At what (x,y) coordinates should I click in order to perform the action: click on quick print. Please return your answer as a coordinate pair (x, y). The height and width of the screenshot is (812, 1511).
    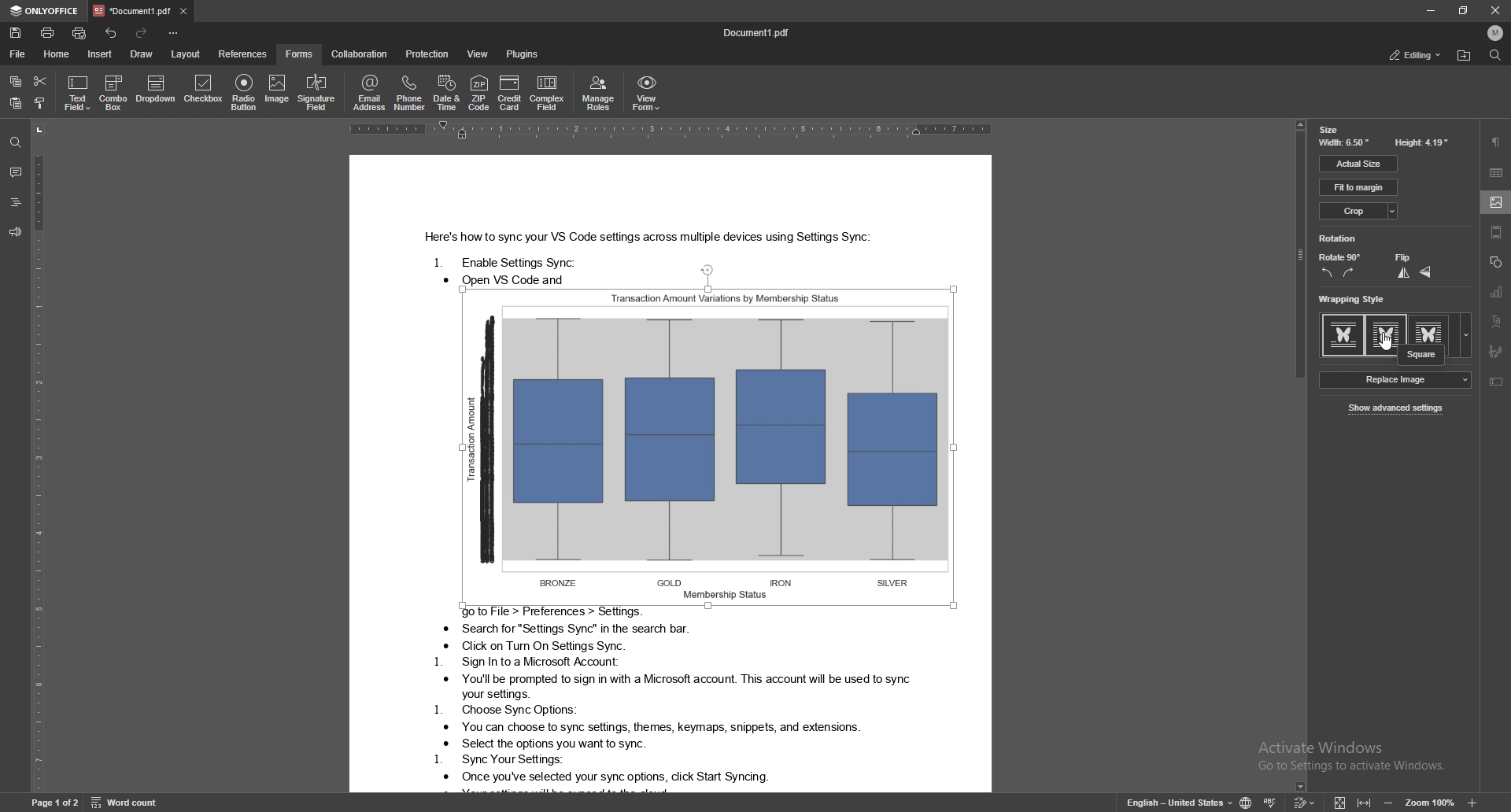
    Looking at the image, I should click on (79, 32).